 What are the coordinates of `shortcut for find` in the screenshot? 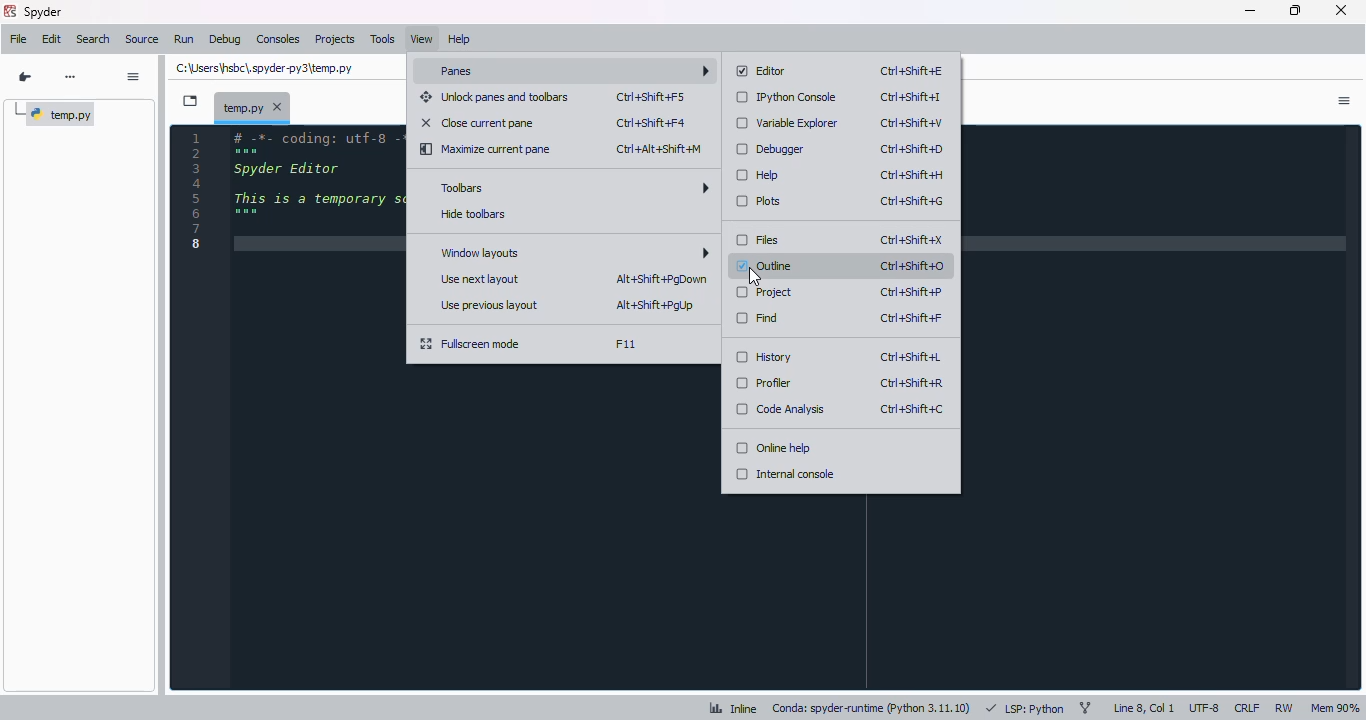 It's located at (910, 318).